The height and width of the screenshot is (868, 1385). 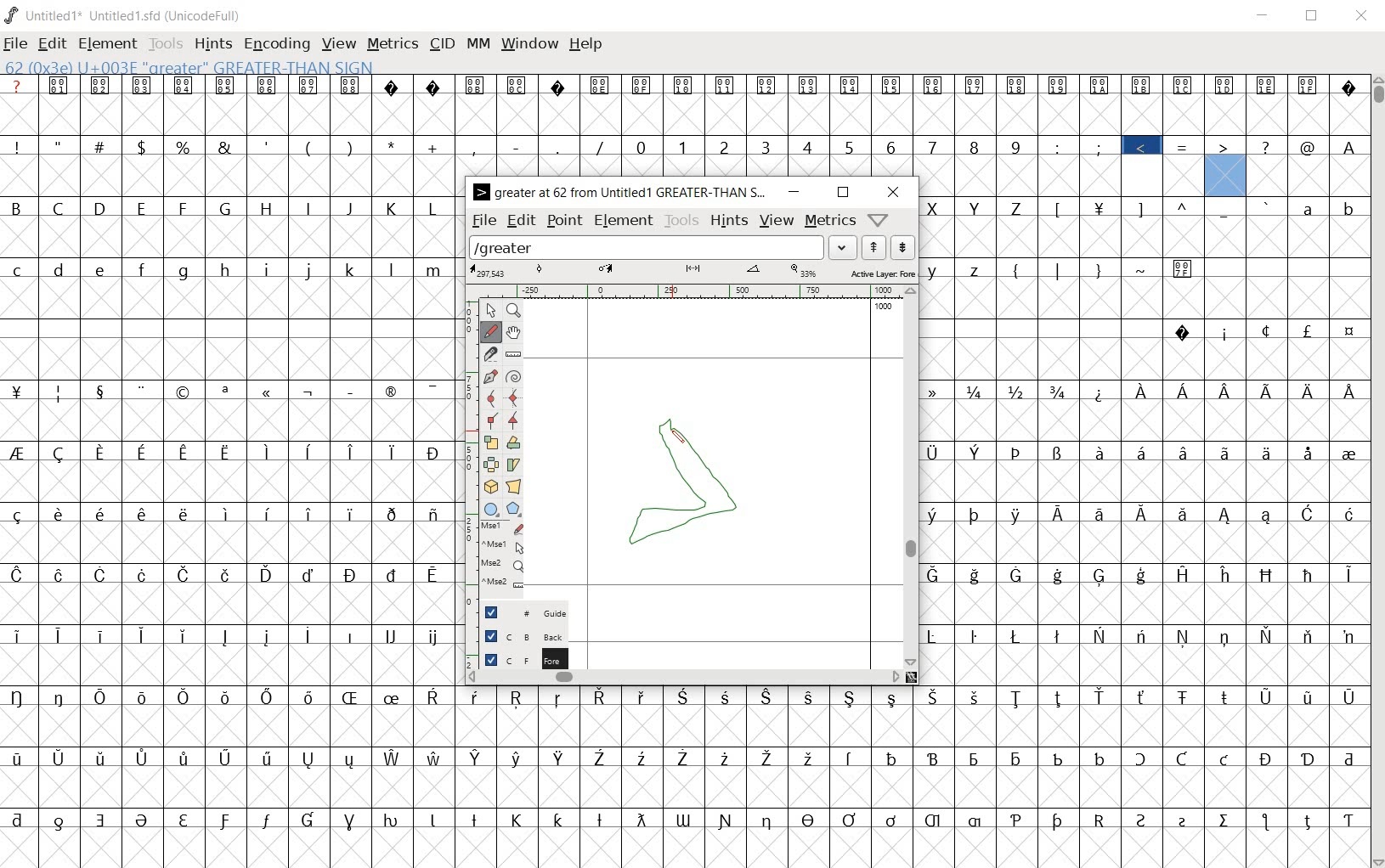 I want to click on cid, so click(x=441, y=42).